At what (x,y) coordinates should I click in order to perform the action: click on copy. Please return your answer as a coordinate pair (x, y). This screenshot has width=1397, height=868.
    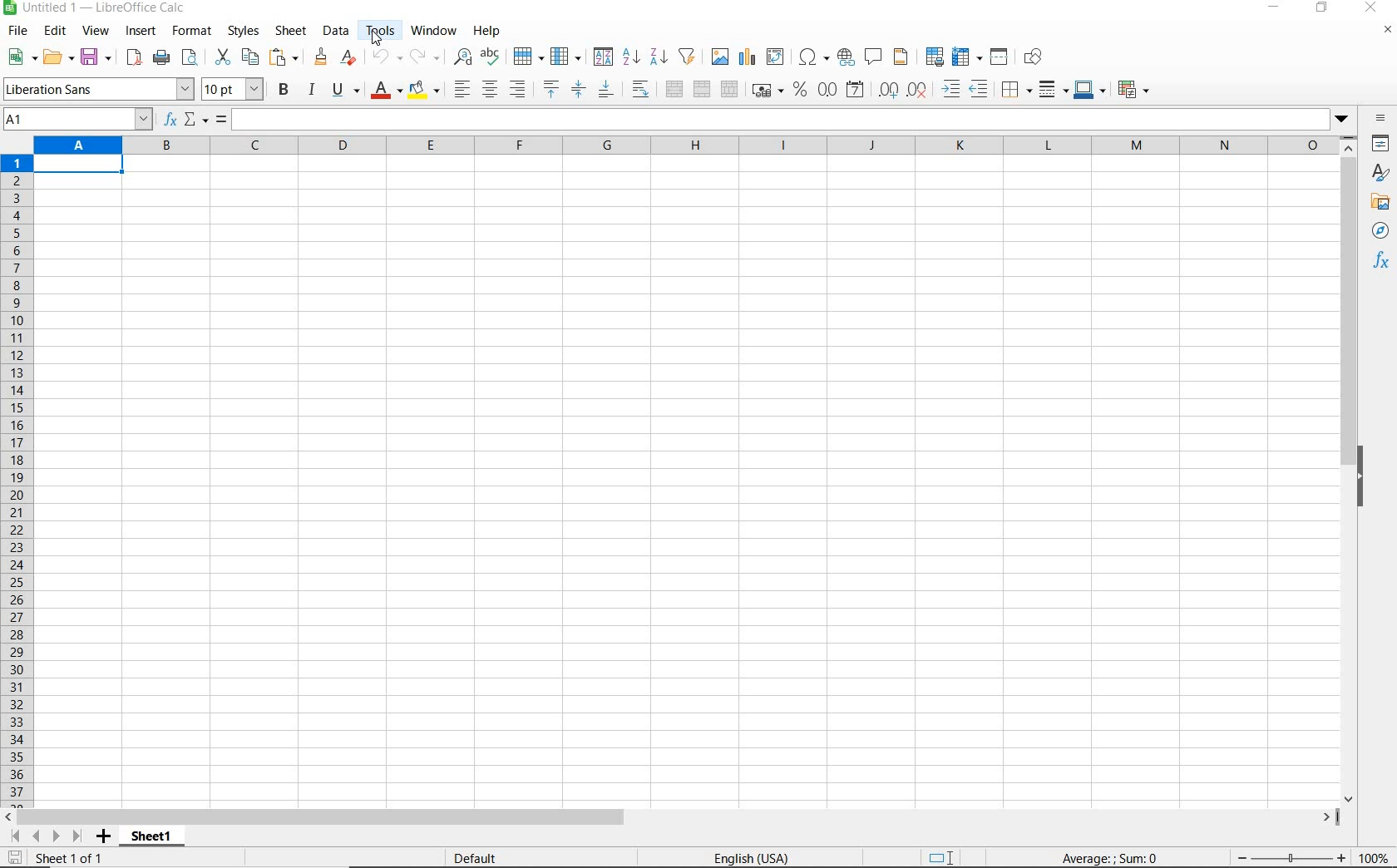
    Looking at the image, I should click on (248, 57).